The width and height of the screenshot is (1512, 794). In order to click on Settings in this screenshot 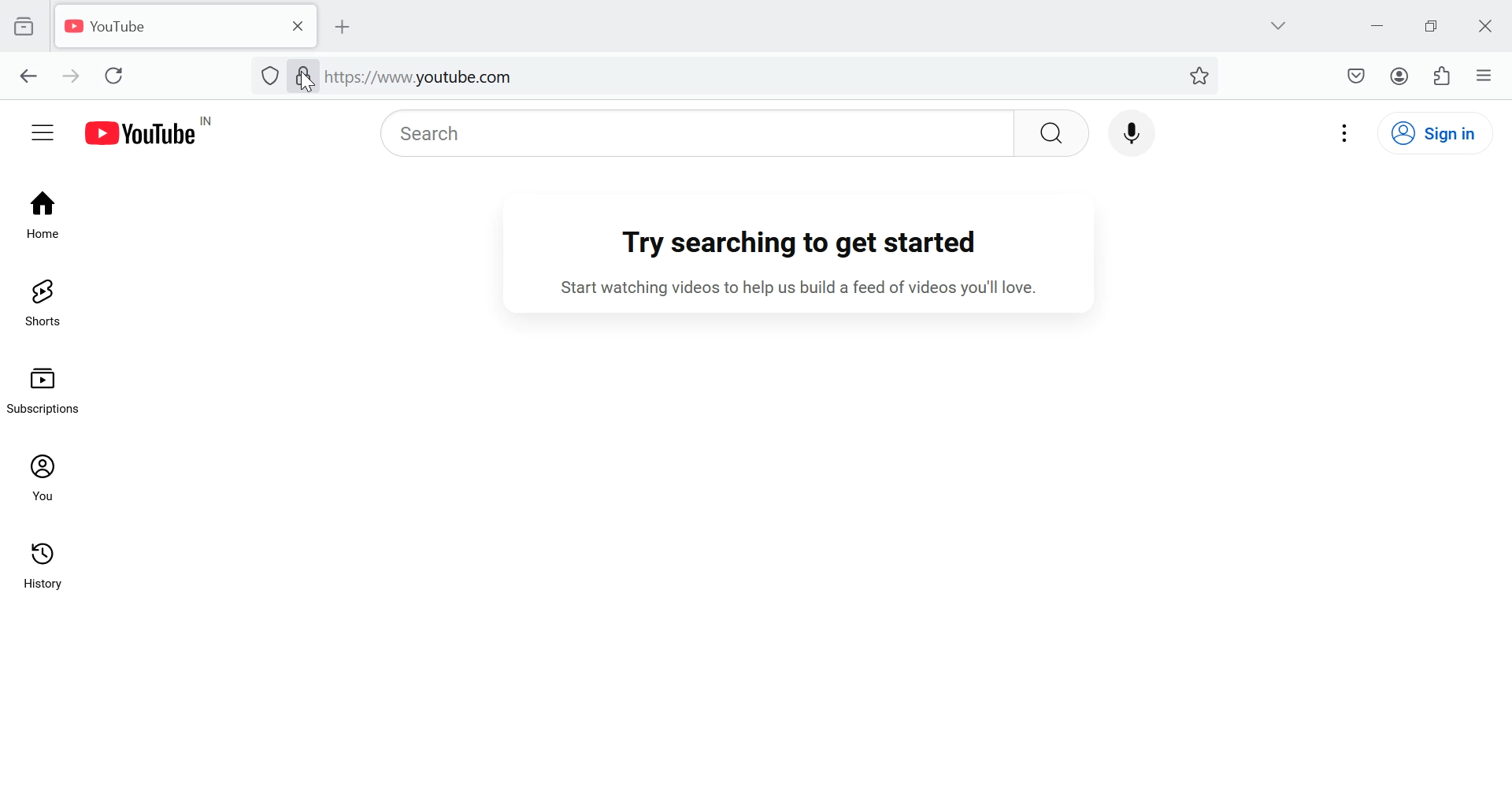, I will do `click(1347, 132)`.